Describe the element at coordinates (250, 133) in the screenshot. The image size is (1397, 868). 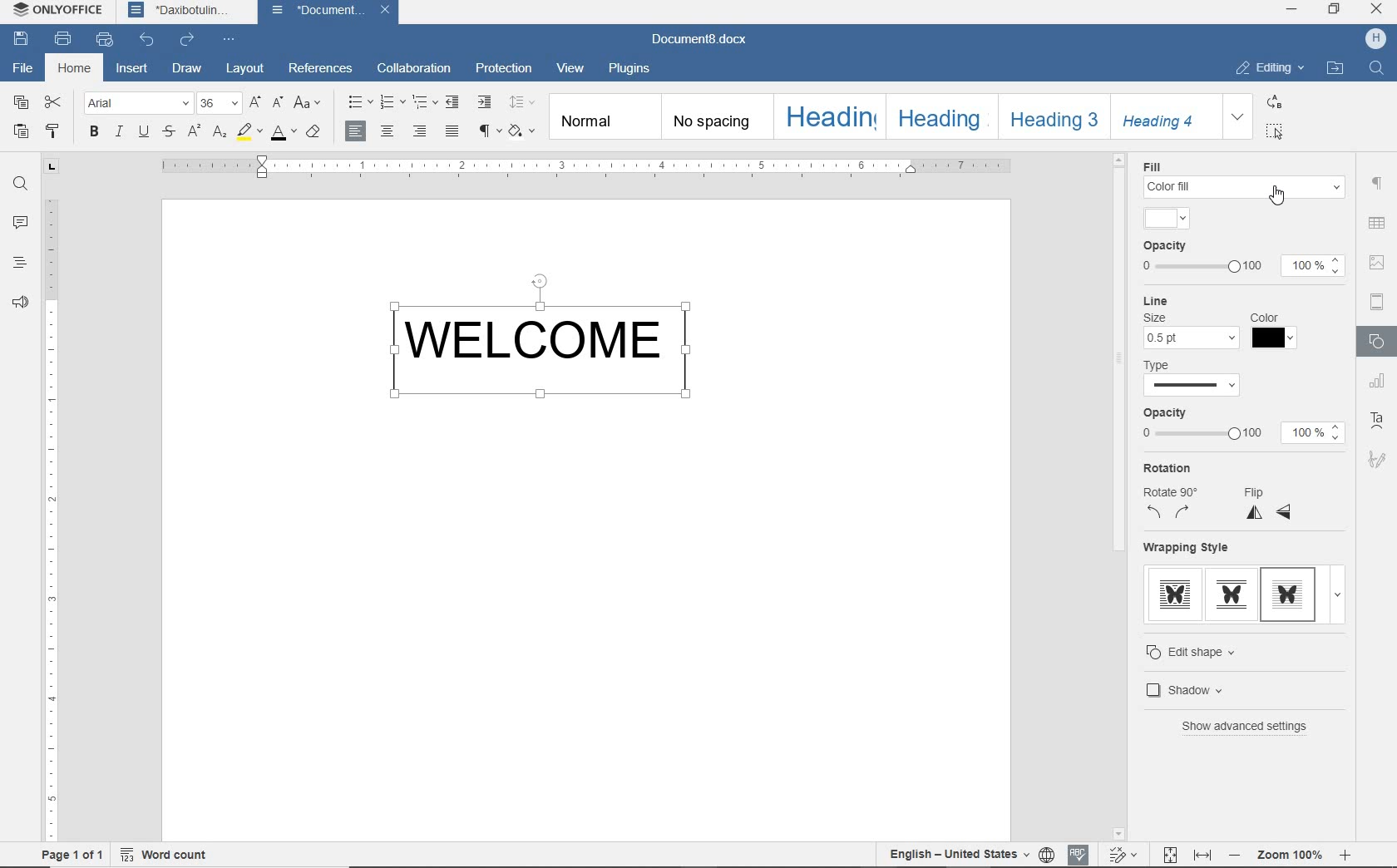
I see `HIGHLIGHT COLOR` at that location.